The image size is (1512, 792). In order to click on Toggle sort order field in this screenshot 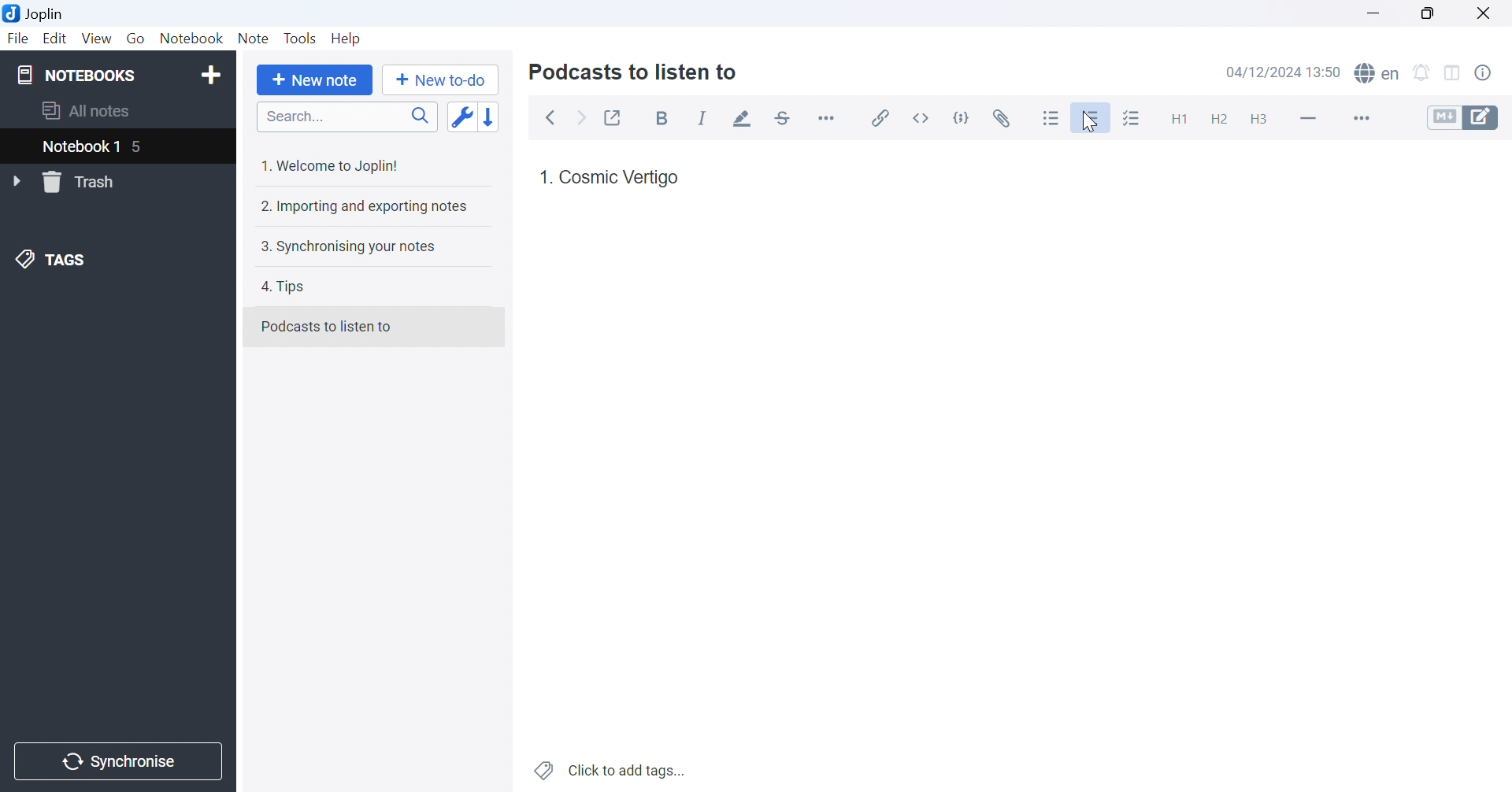, I will do `click(461, 117)`.